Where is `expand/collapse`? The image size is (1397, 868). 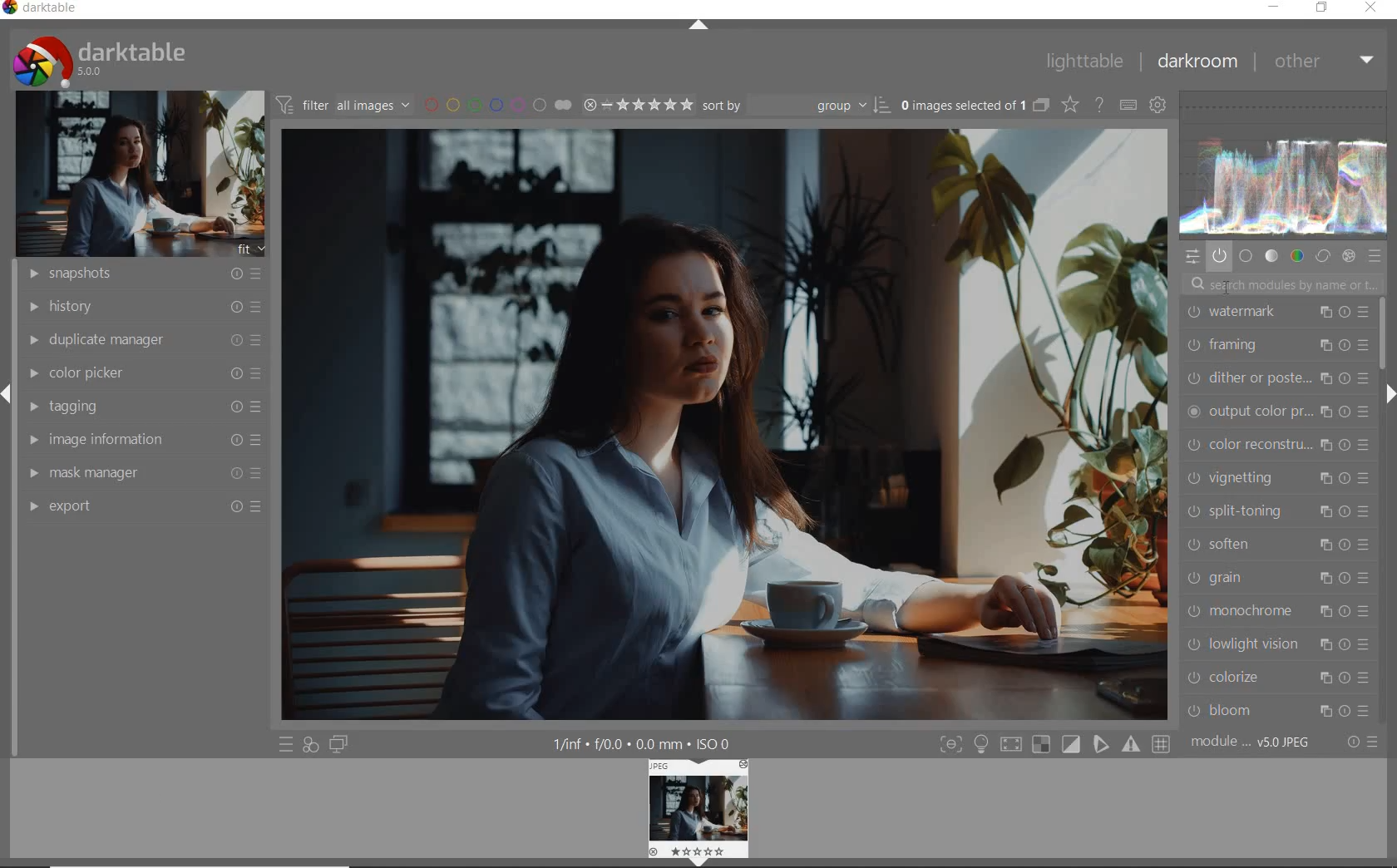
expand/collapse is located at coordinates (698, 27).